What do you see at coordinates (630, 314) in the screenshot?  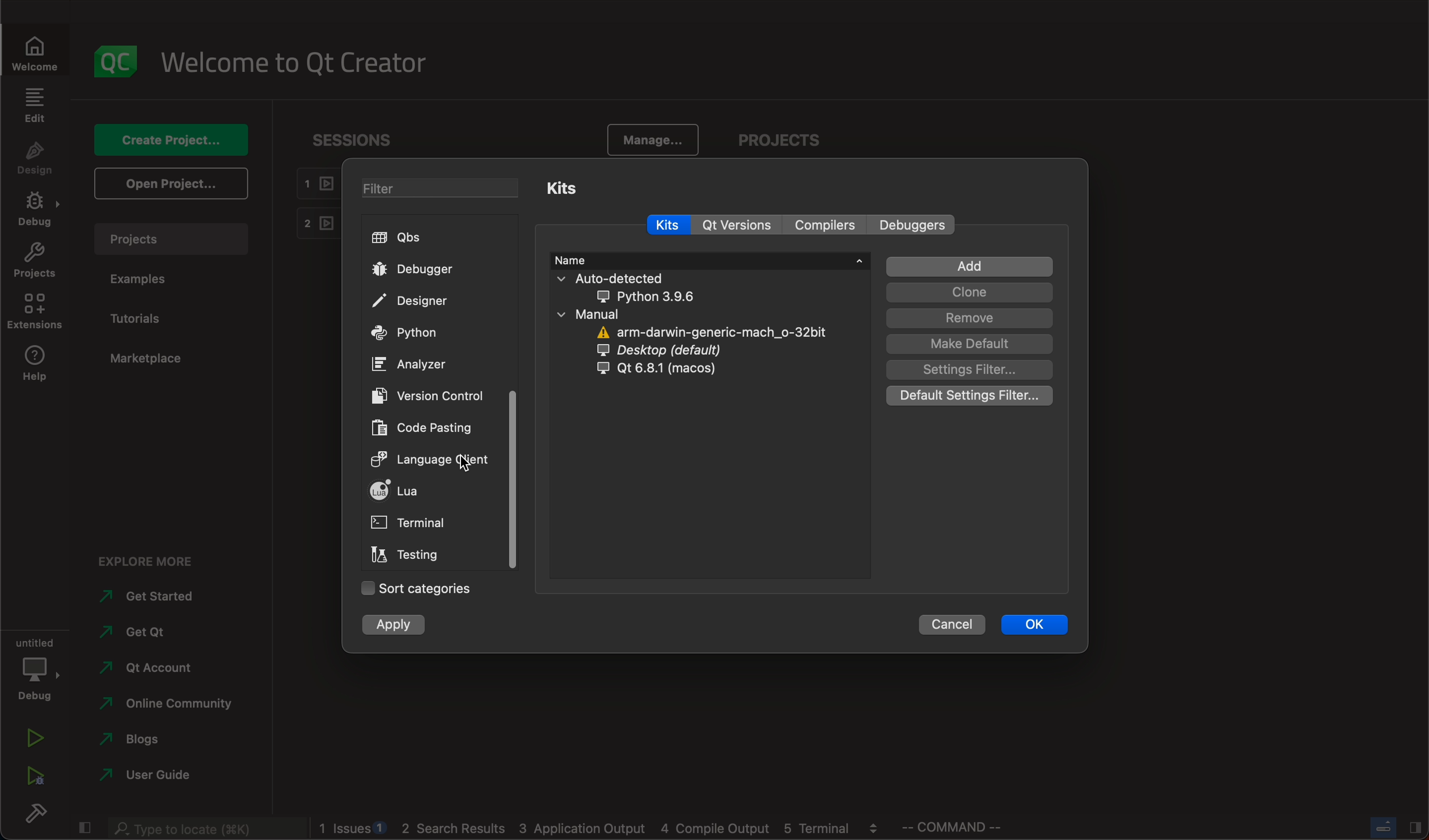 I see `manual` at bounding box center [630, 314].